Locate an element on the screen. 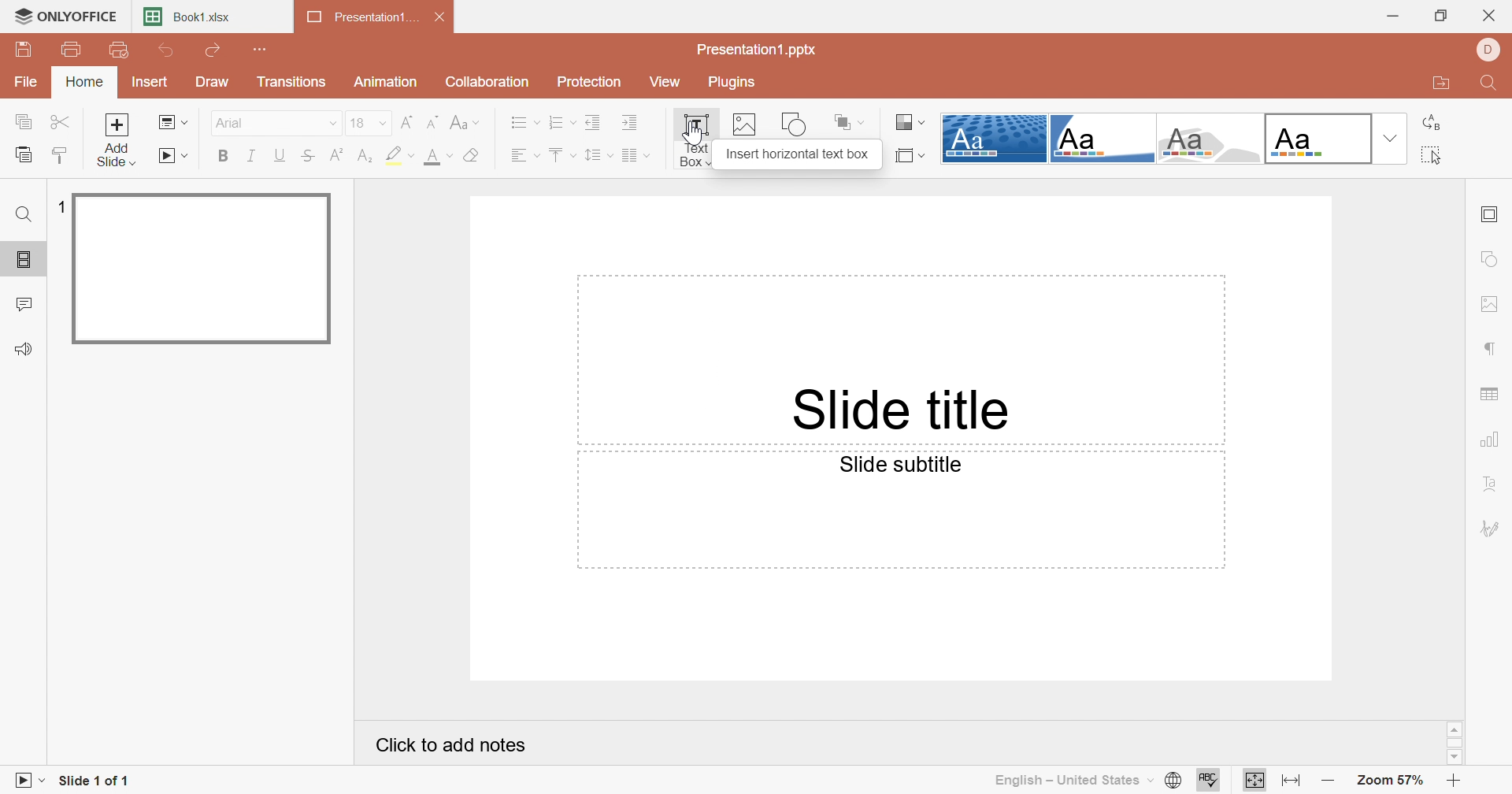  Undo is located at coordinates (169, 52).